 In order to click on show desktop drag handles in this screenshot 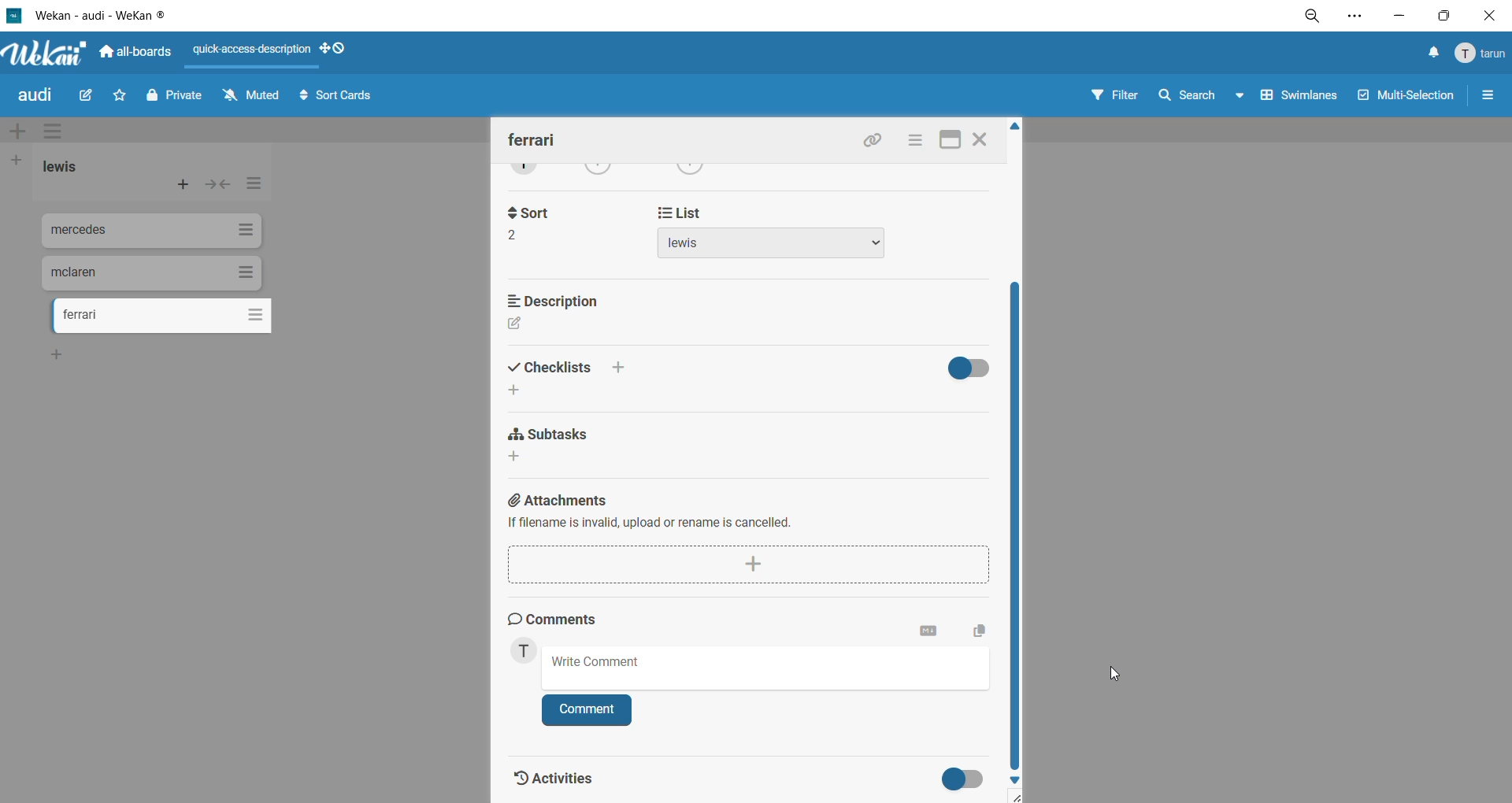, I will do `click(335, 50)`.